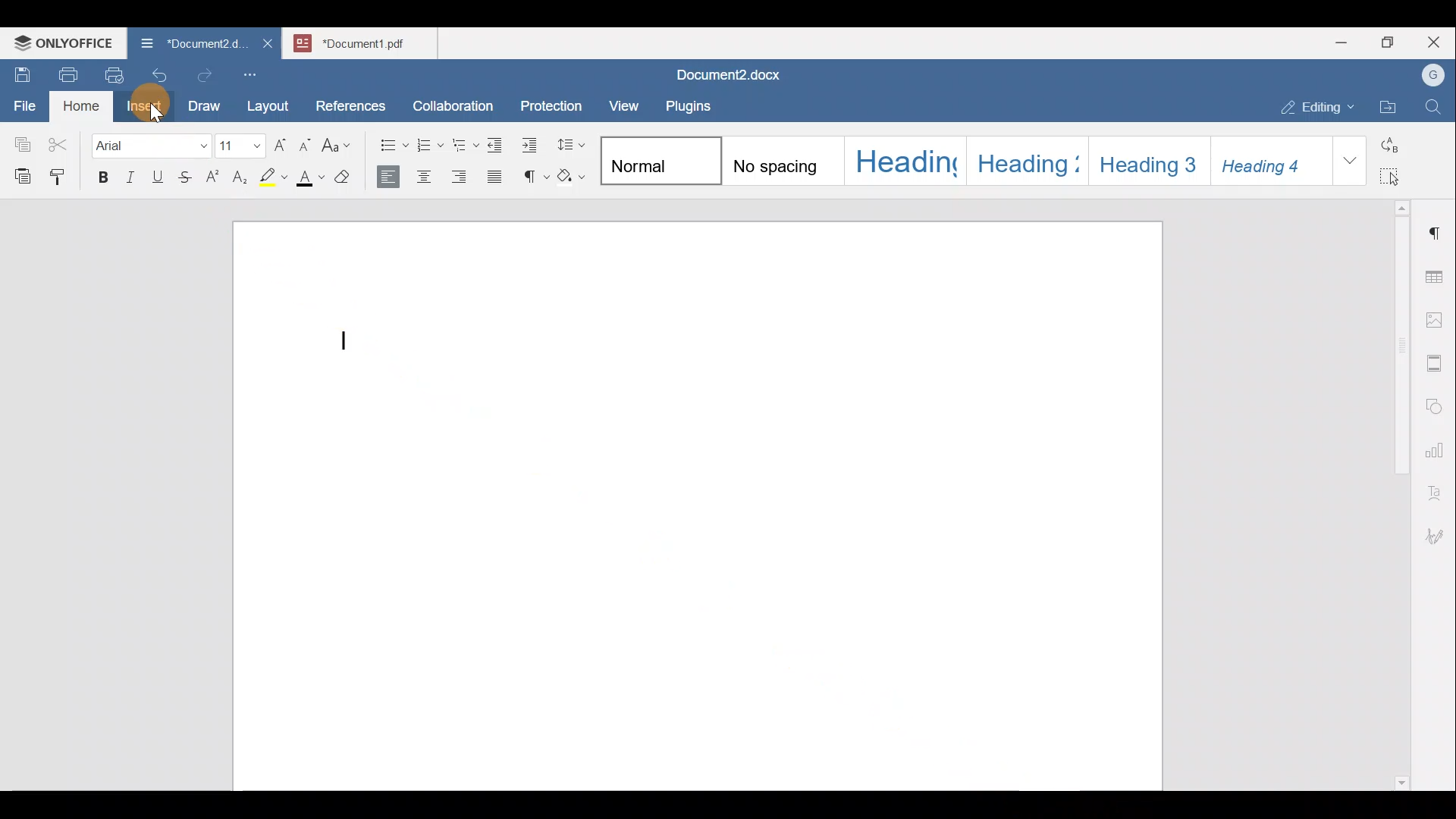 The image size is (1456, 819). What do you see at coordinates (358, 42) in the screenshot?
I see `Document pdf` at bounding box center [358, 42].